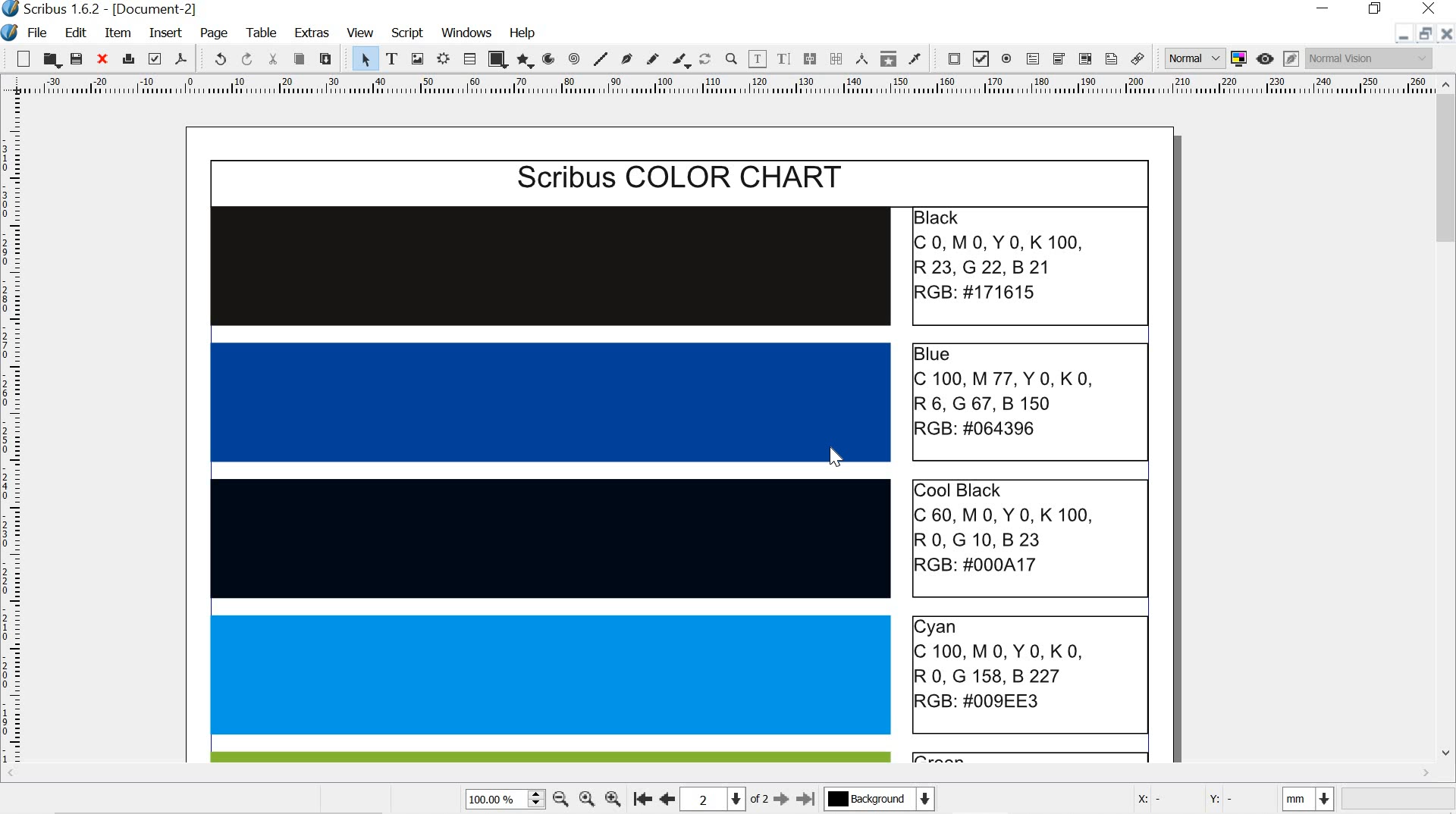 Image resolution: width=1456 pixels, height=814 pixels. I want to click on edit, so click(75, 32).